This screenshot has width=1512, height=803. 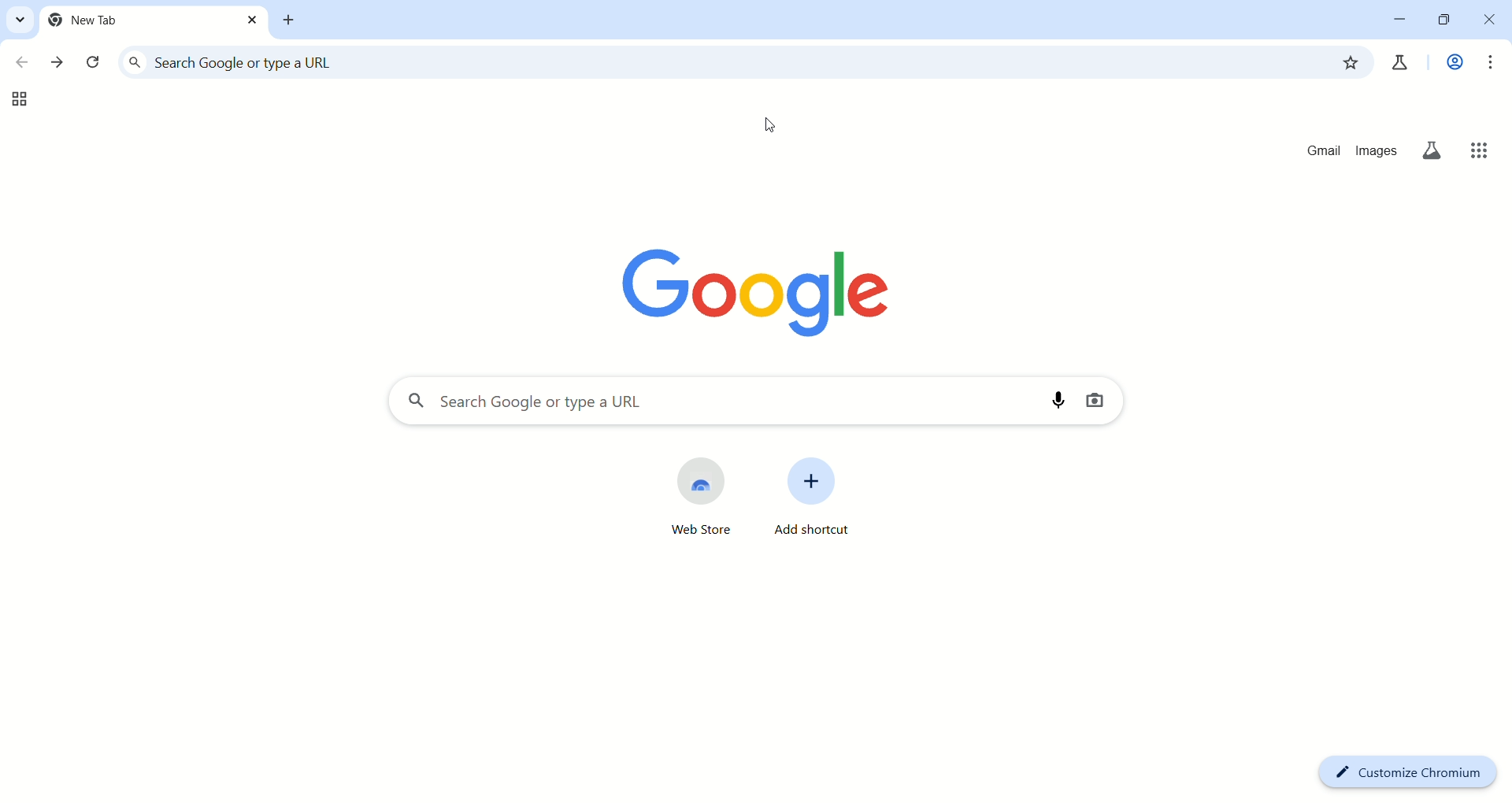 What do you see at coordinates (1455, 62) in the screenshot?
I see `work` at bounding box center [1455, 62].